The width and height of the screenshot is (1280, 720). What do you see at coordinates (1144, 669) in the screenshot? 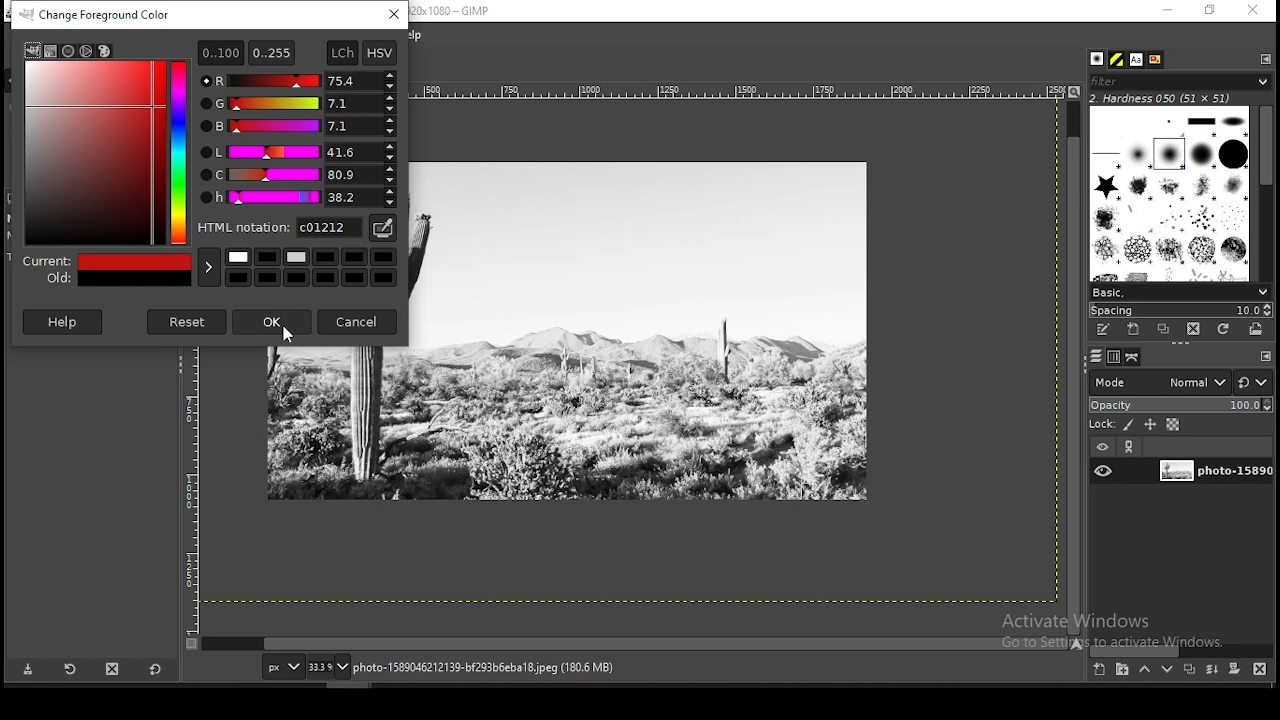
I see `move layer one step up` at bounding box center [1144, 669].